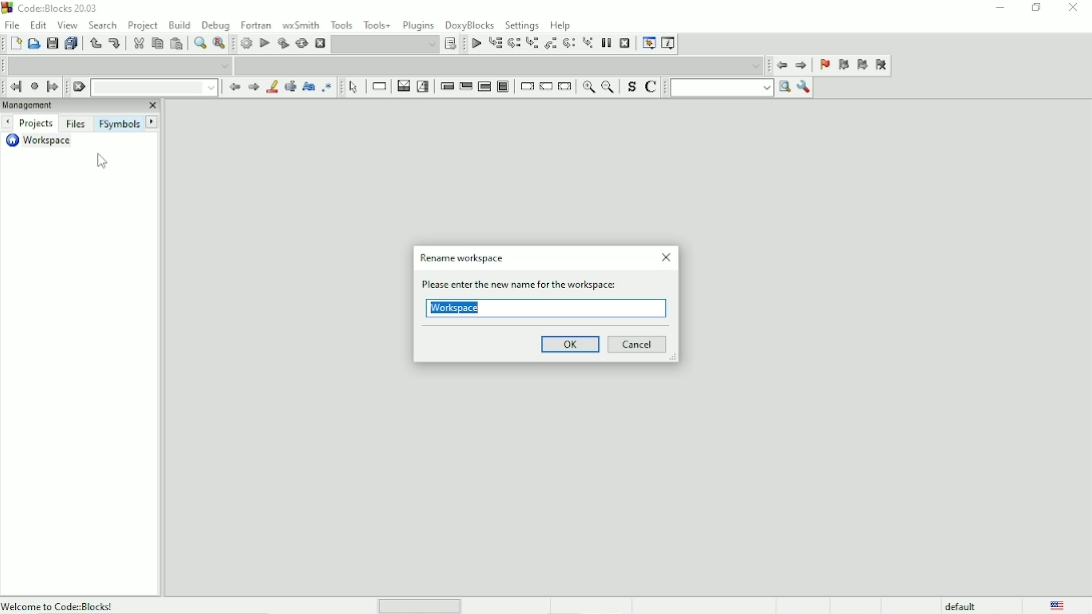  Describe the element at coordinates (639, 344) in the screenshot. I see `Cancel` at that location.